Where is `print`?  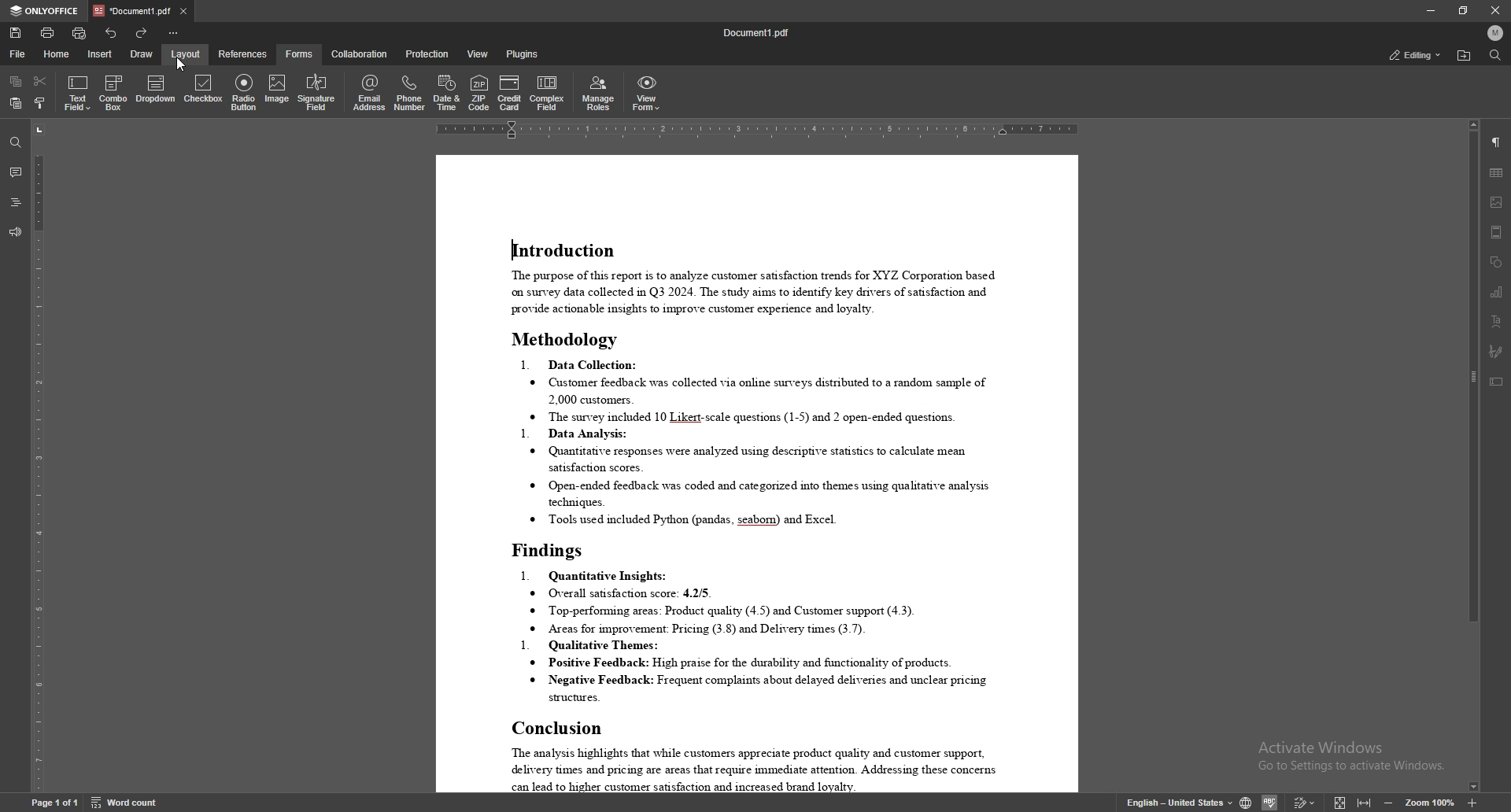 print is located at coordinates (47, 33).